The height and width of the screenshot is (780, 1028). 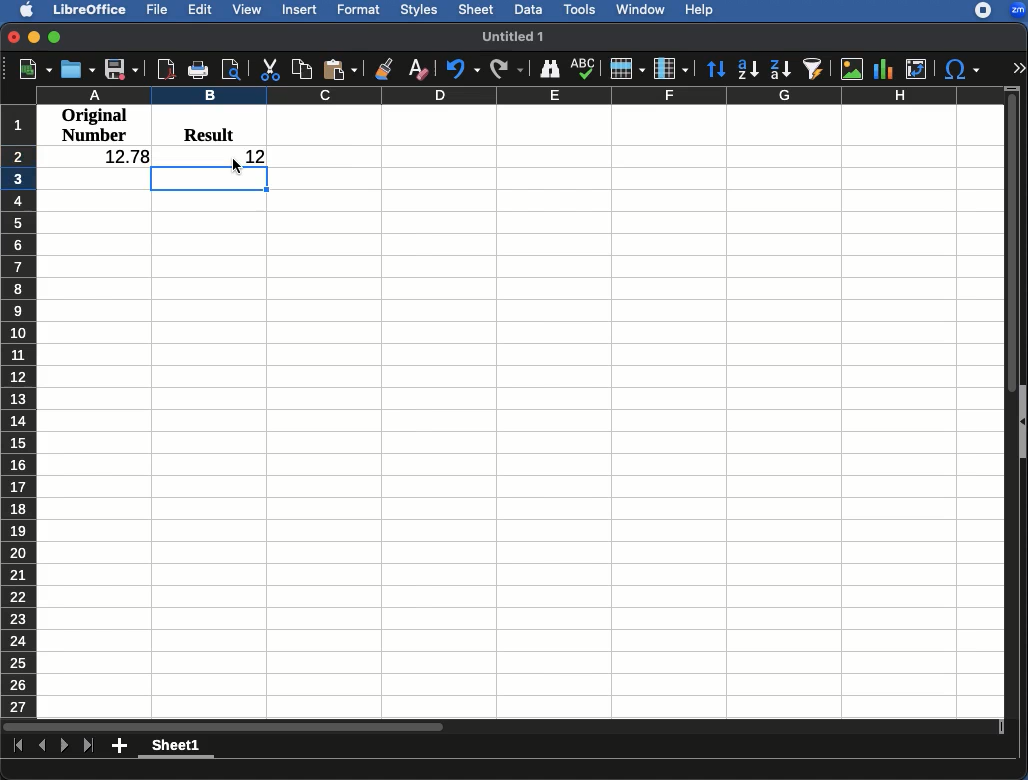 I want to click on Column, so click(x=671, y=69).